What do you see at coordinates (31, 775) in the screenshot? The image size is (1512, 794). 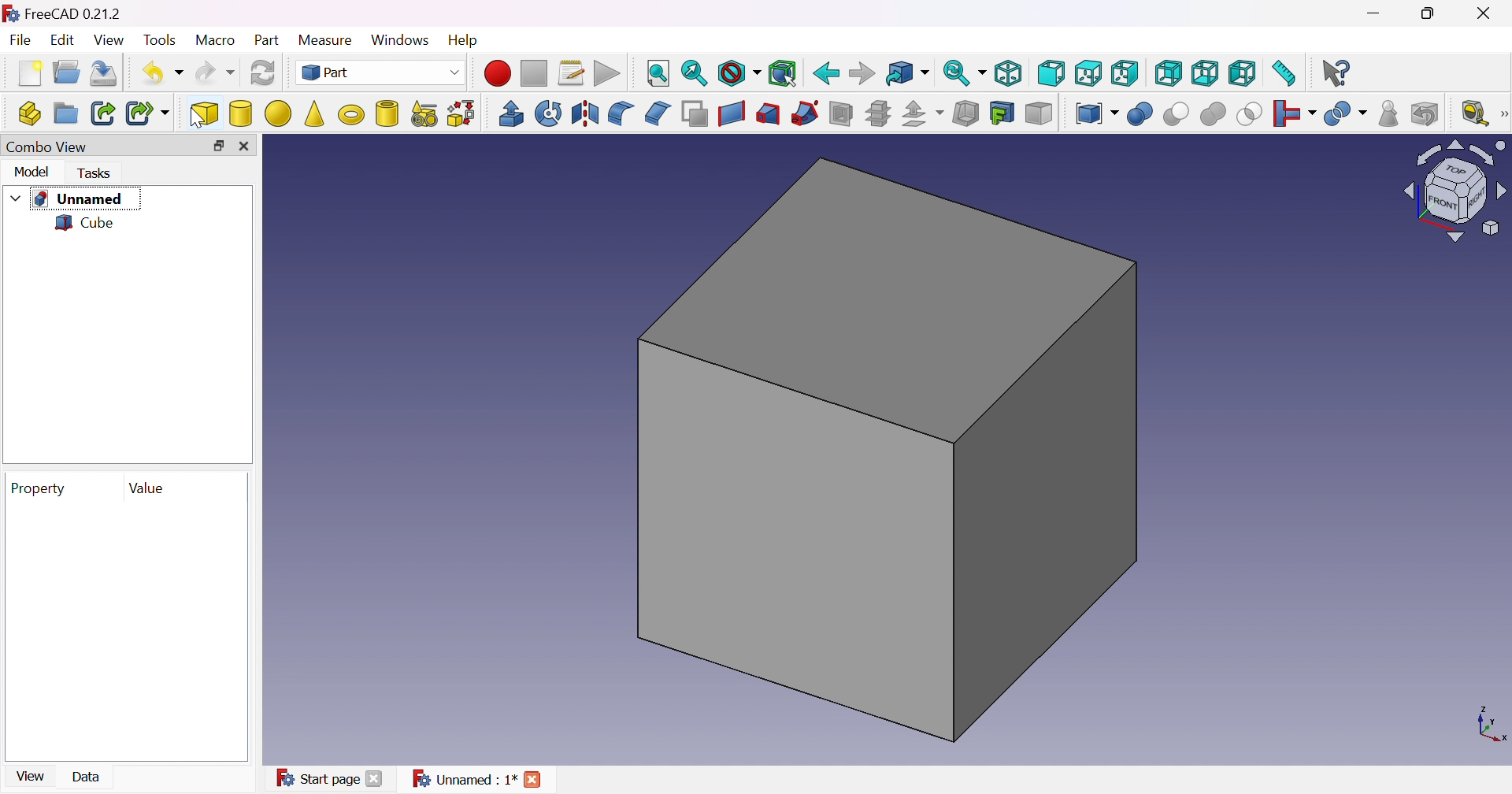 I see `View` at bounding box center [31, 775].